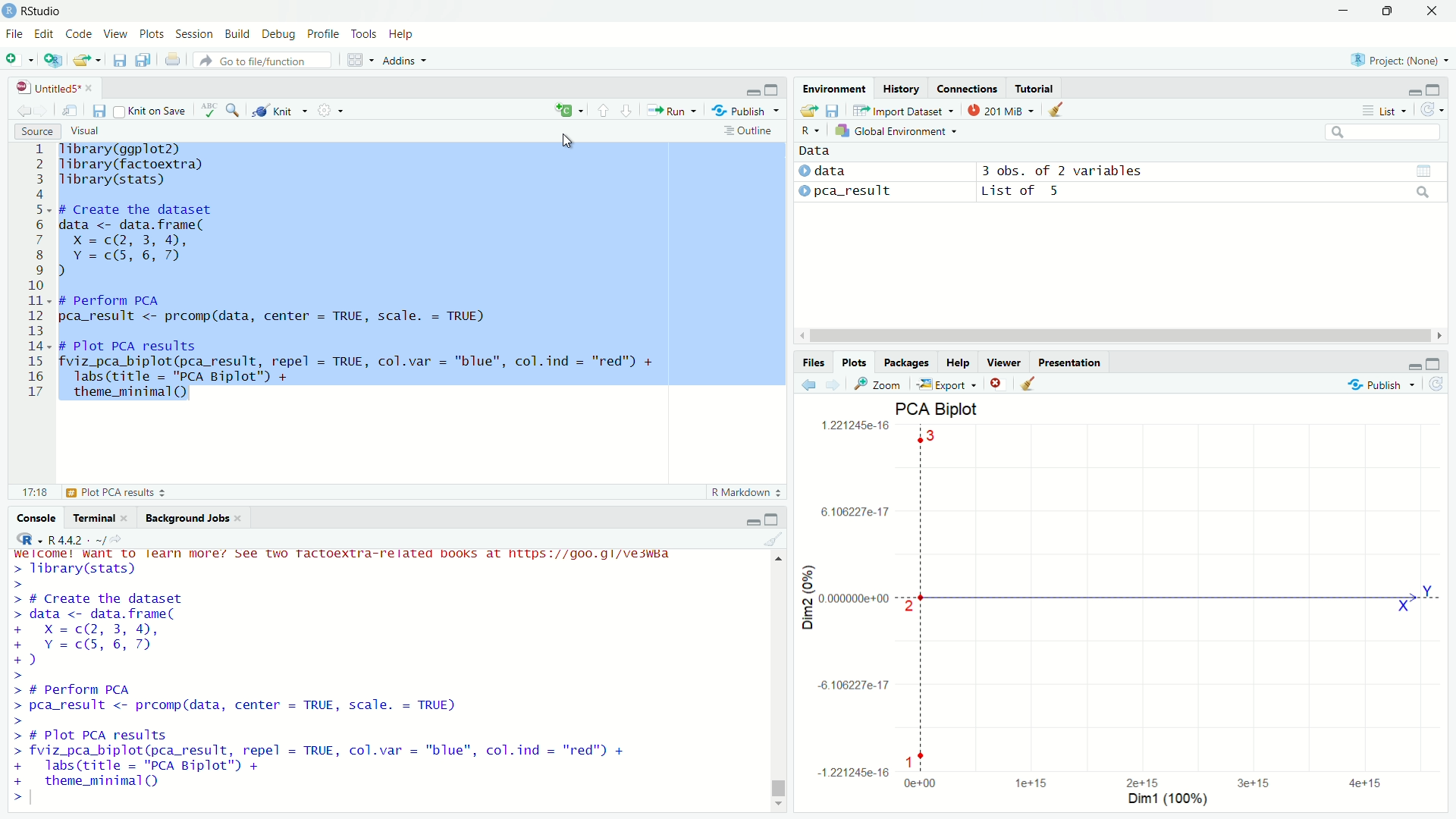  I want to click on global environment, so click(899, 131).